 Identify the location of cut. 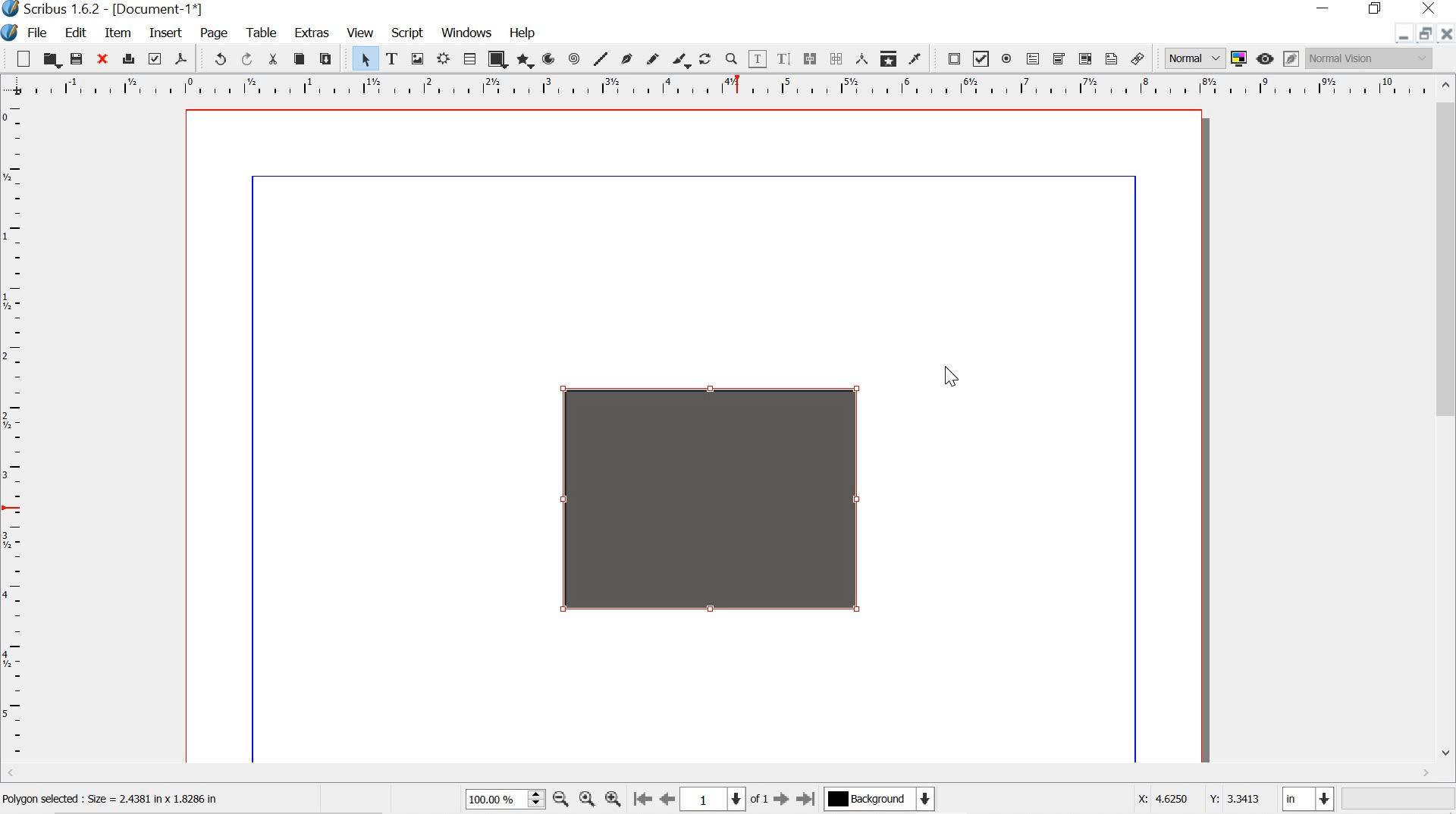
(275, 61).